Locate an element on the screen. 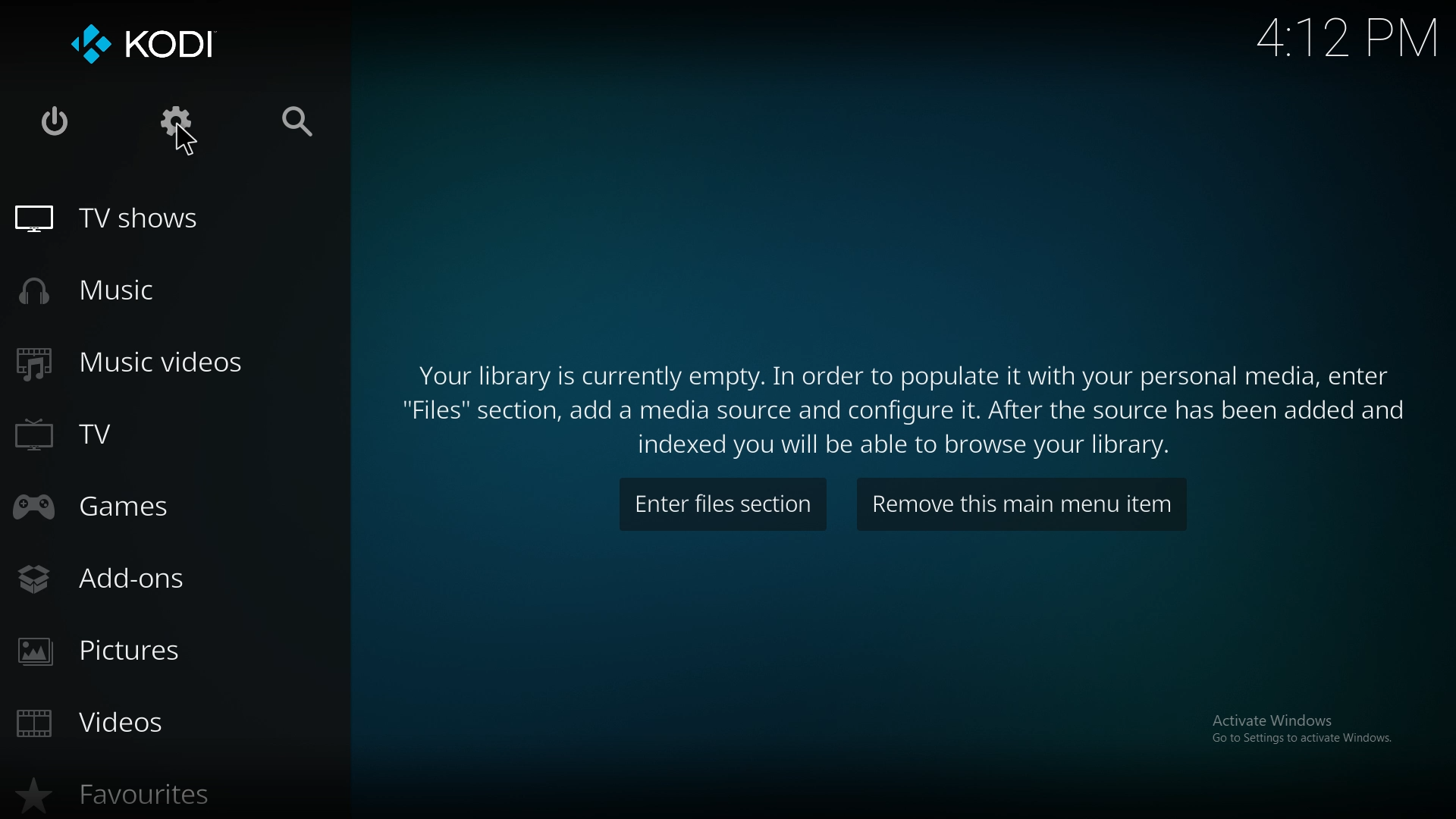 The width and height of the screenshot is (1456, 819). settings is located at coordinates (175, 122).